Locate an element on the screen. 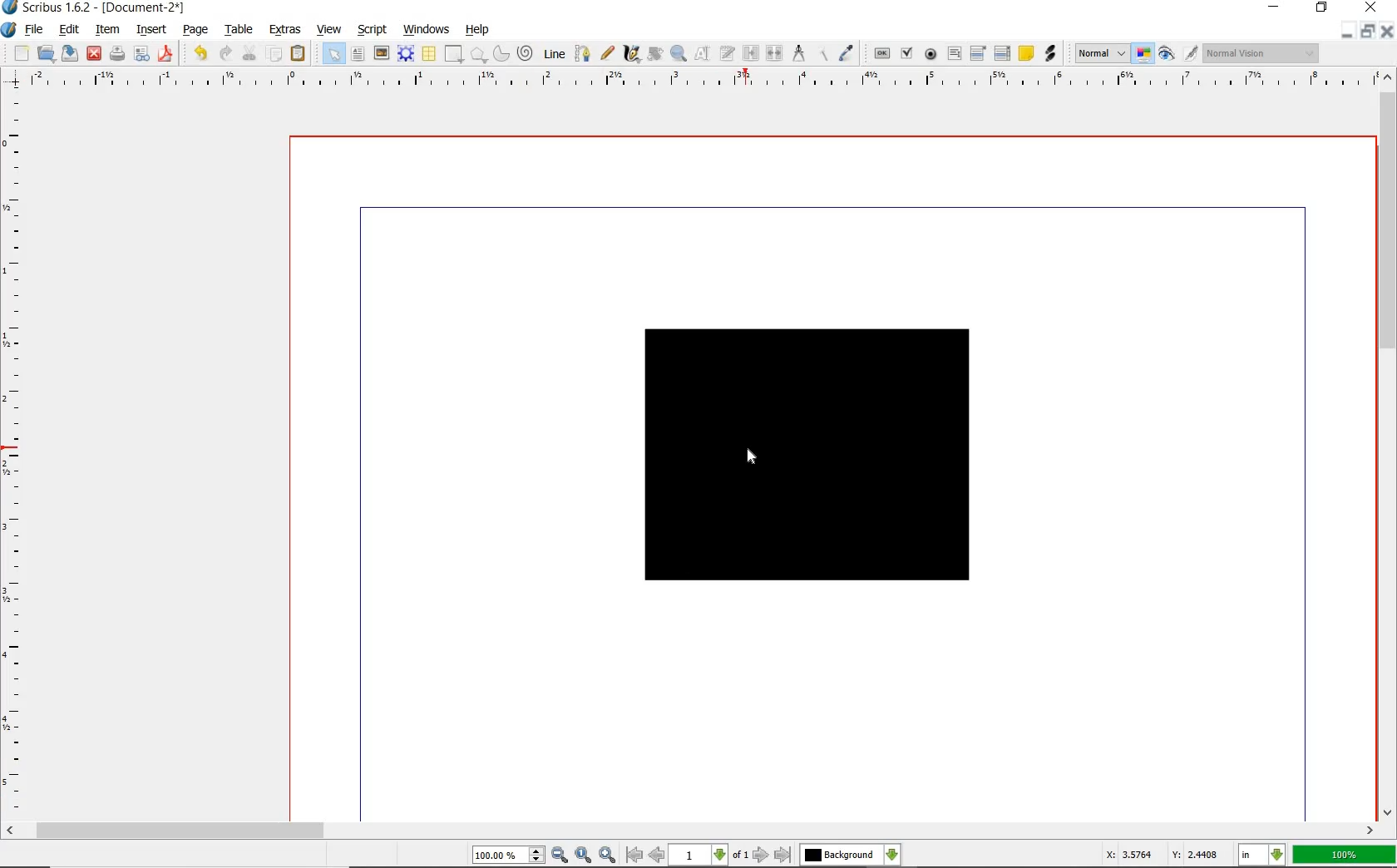 This screenshot has height=868, width=1397. zoom in is located at coordinates (607, 853).